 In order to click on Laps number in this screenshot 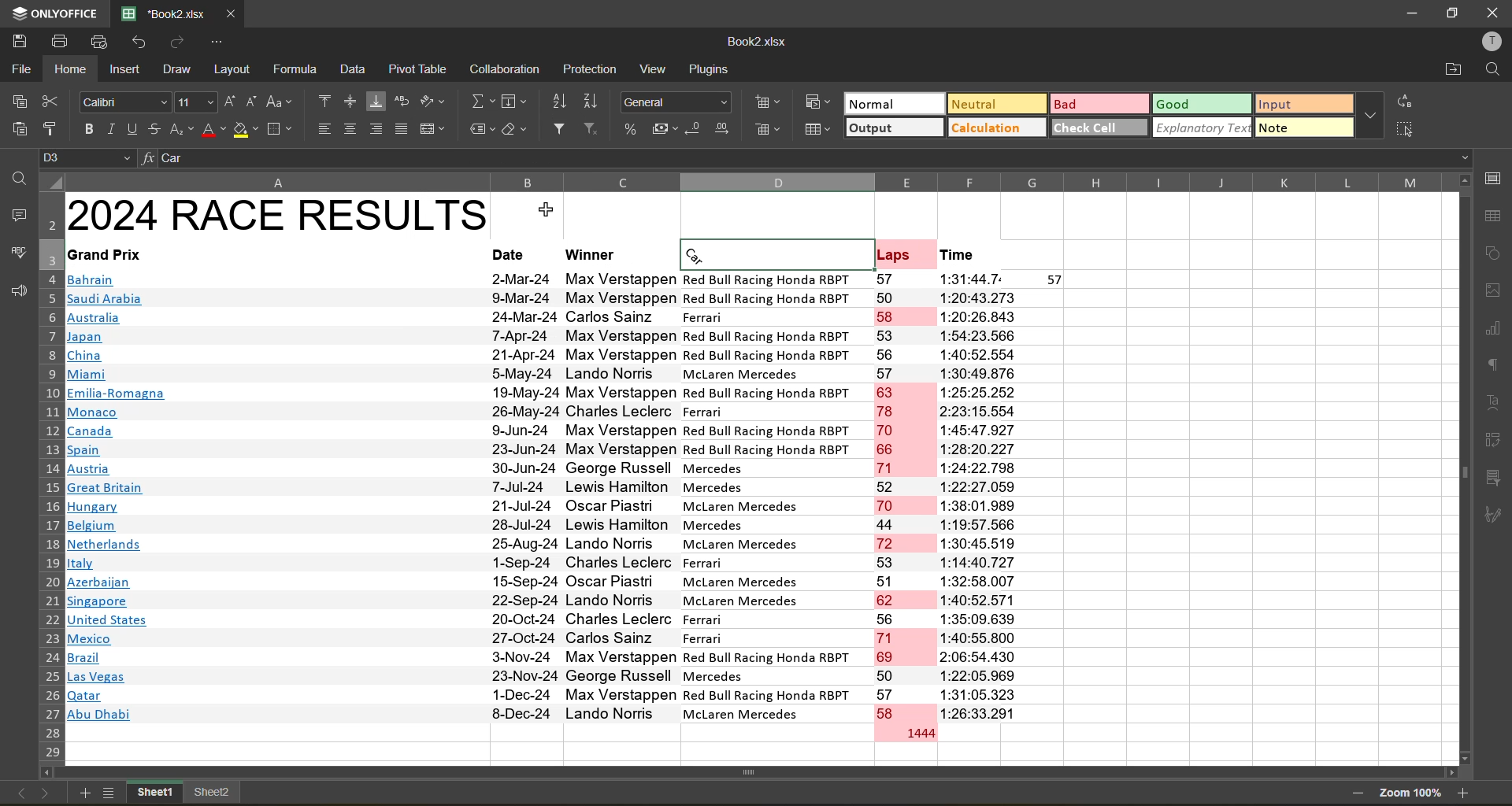, I will do `click(907, 506)`.